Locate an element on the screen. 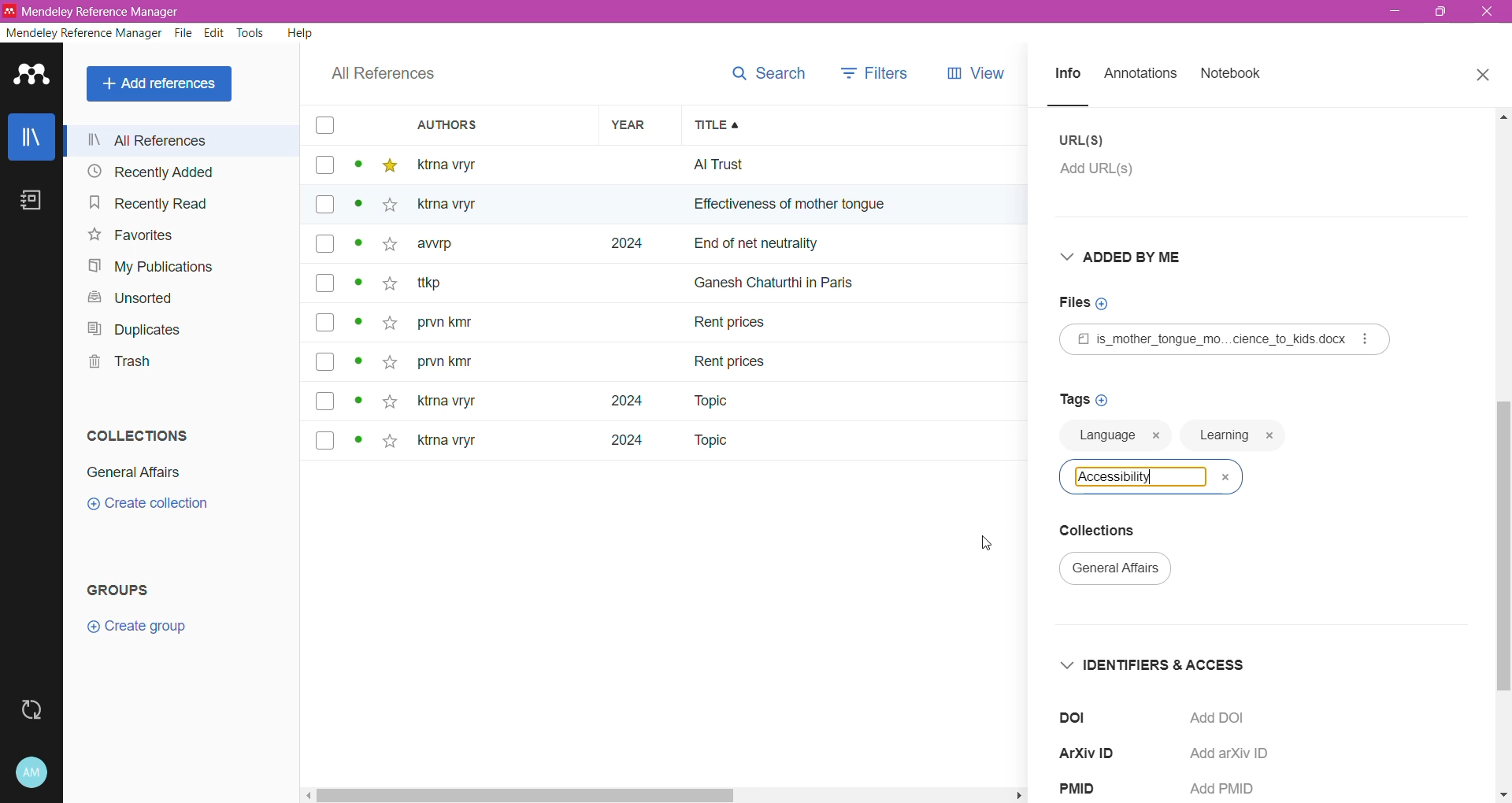 The width and height of the screenshot is (1512, 803). box is located at coordinates (326, 363).